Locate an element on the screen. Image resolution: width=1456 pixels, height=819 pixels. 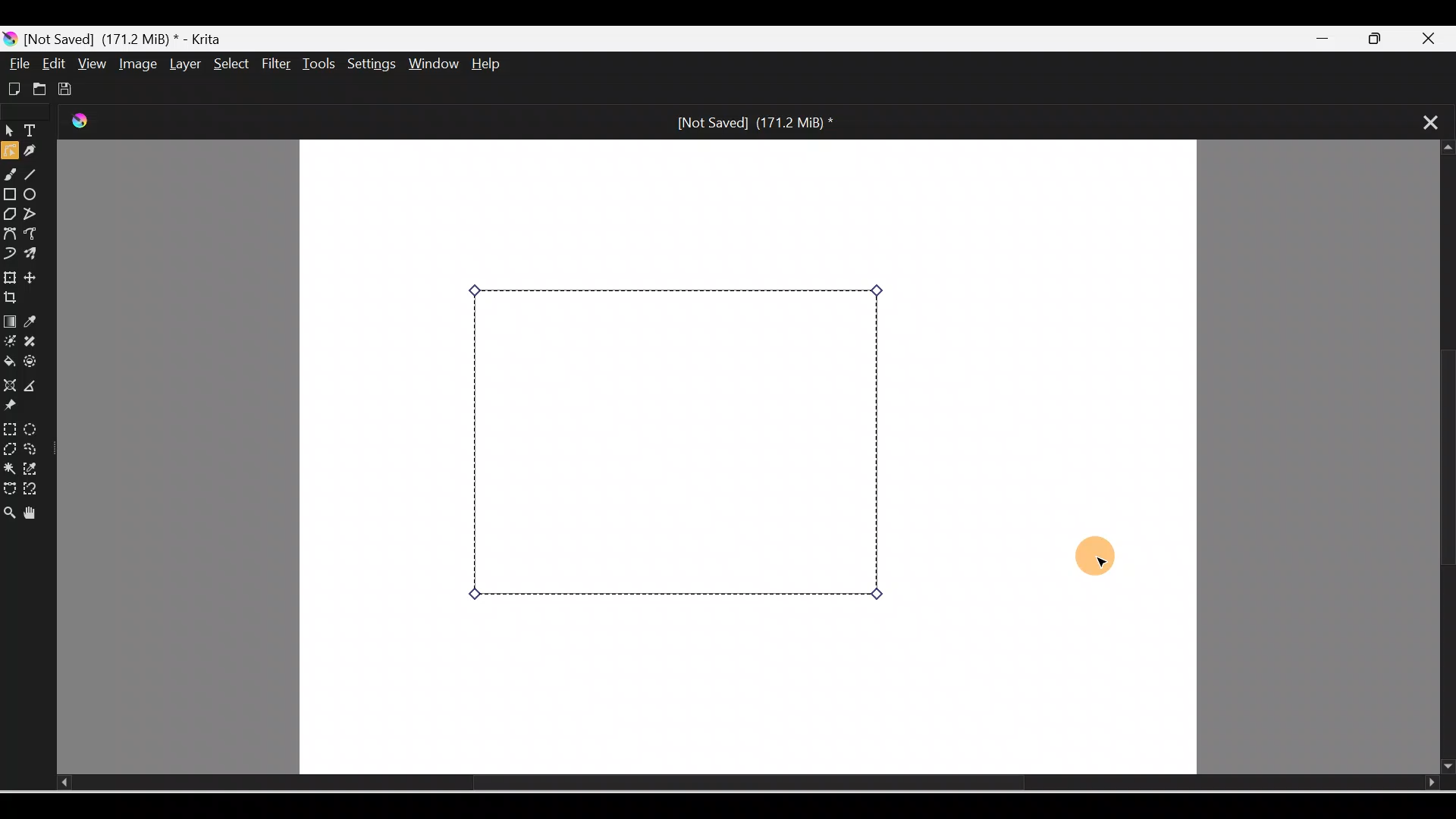
Assistant tool is located at coordinates (9, 385).